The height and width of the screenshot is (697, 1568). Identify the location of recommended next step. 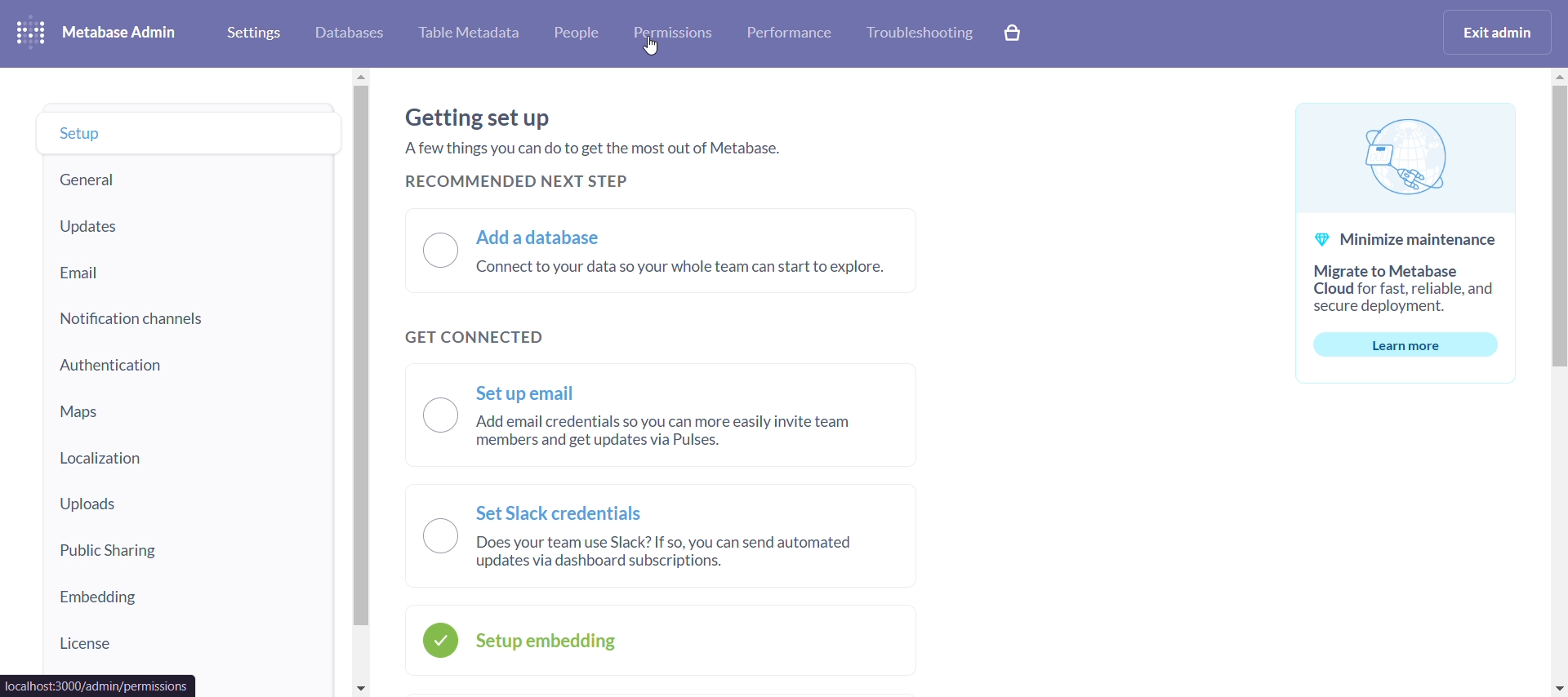
(520, 184).